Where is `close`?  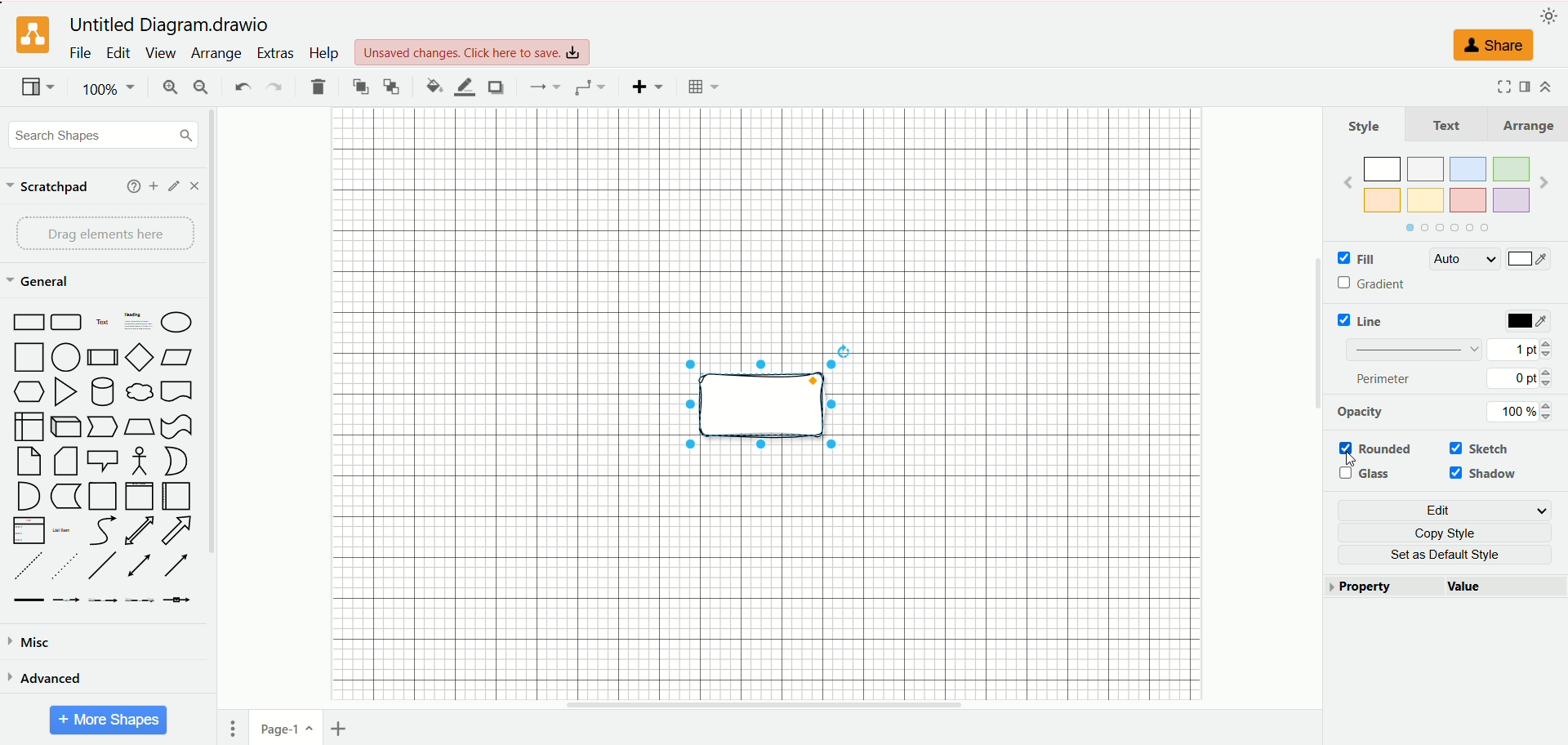 close is located at coordinates (194, 186).